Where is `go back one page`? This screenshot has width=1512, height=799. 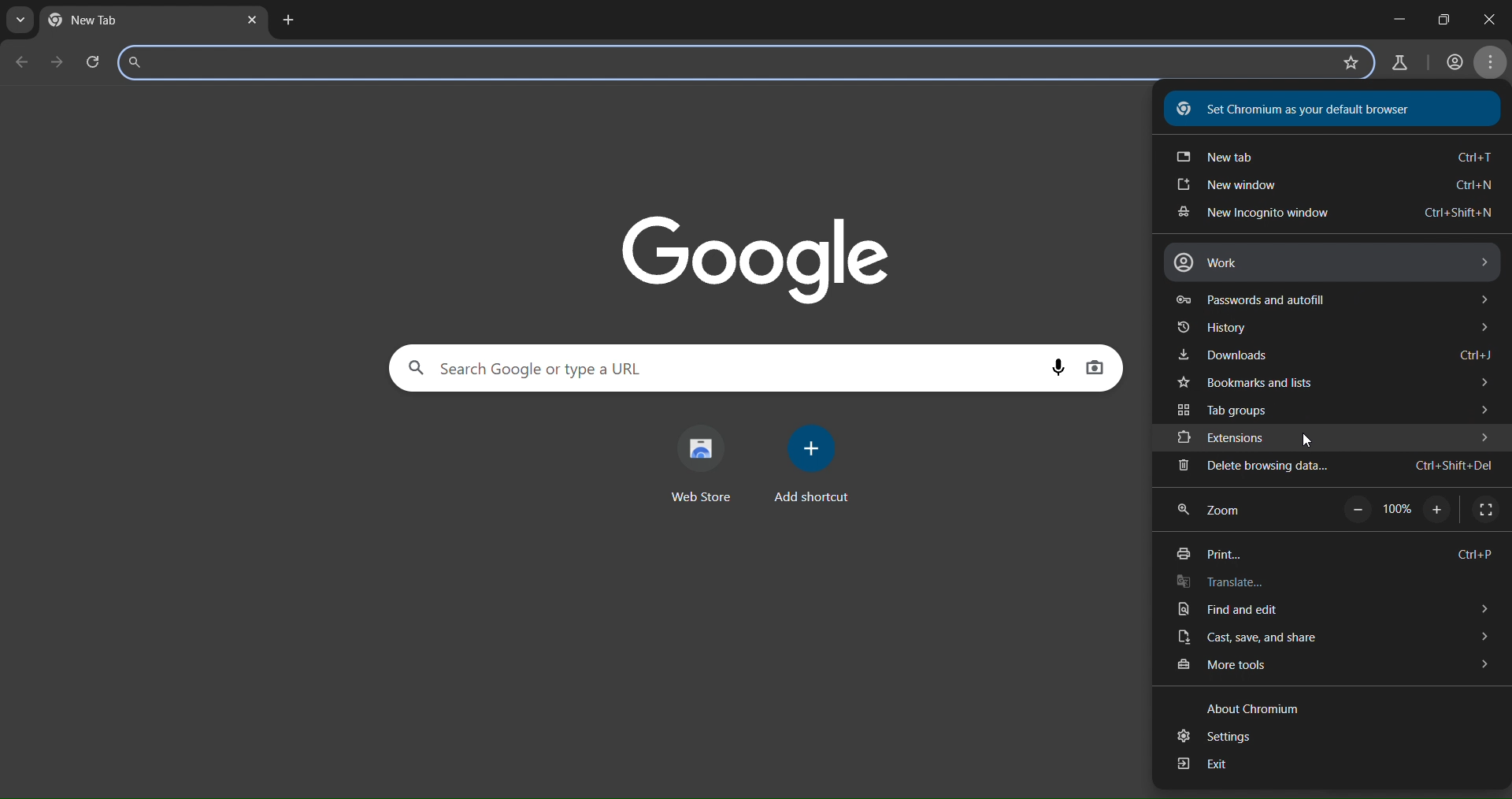
go back one page is located at coordinates (23, 63).